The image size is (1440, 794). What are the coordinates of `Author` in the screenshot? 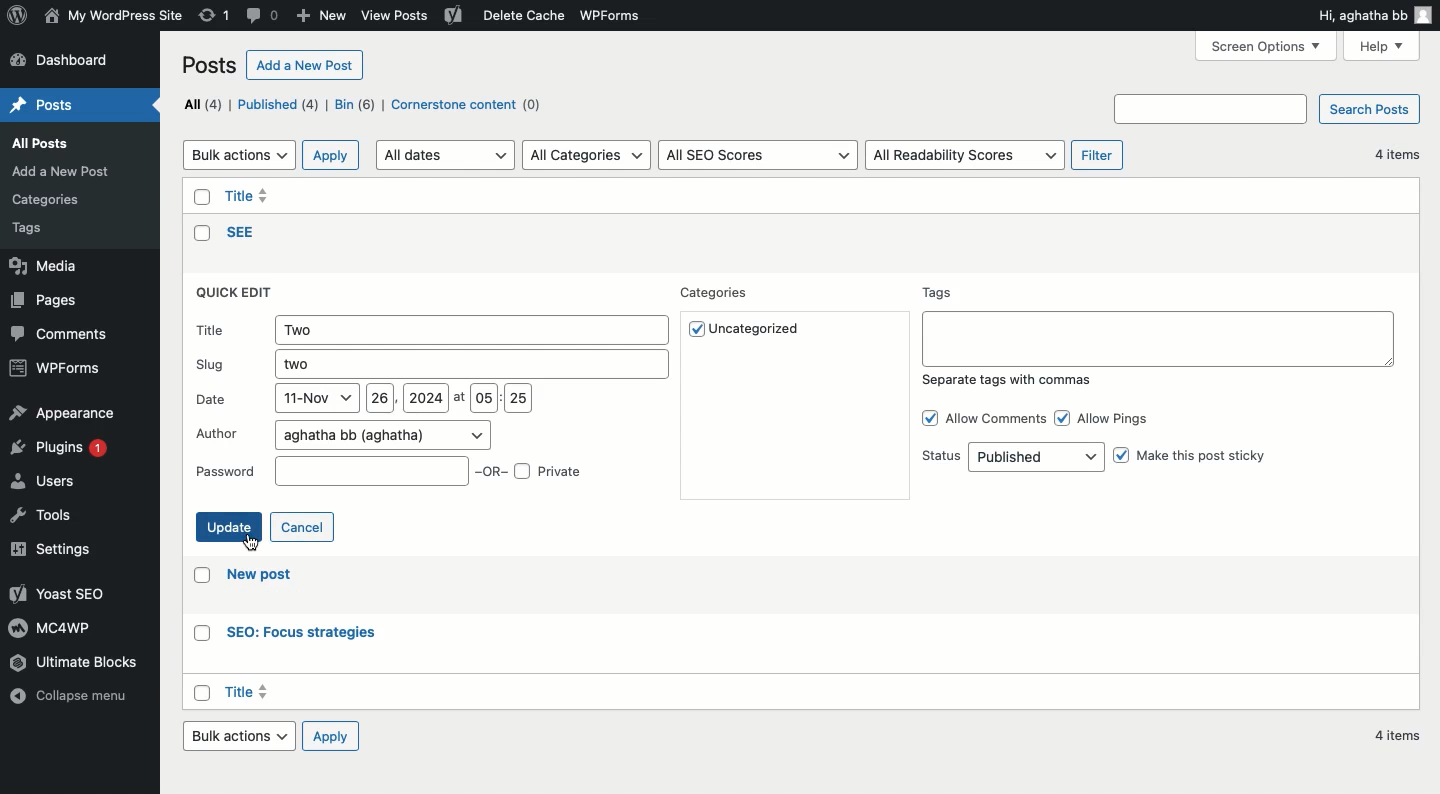 It's located at (343, 434).